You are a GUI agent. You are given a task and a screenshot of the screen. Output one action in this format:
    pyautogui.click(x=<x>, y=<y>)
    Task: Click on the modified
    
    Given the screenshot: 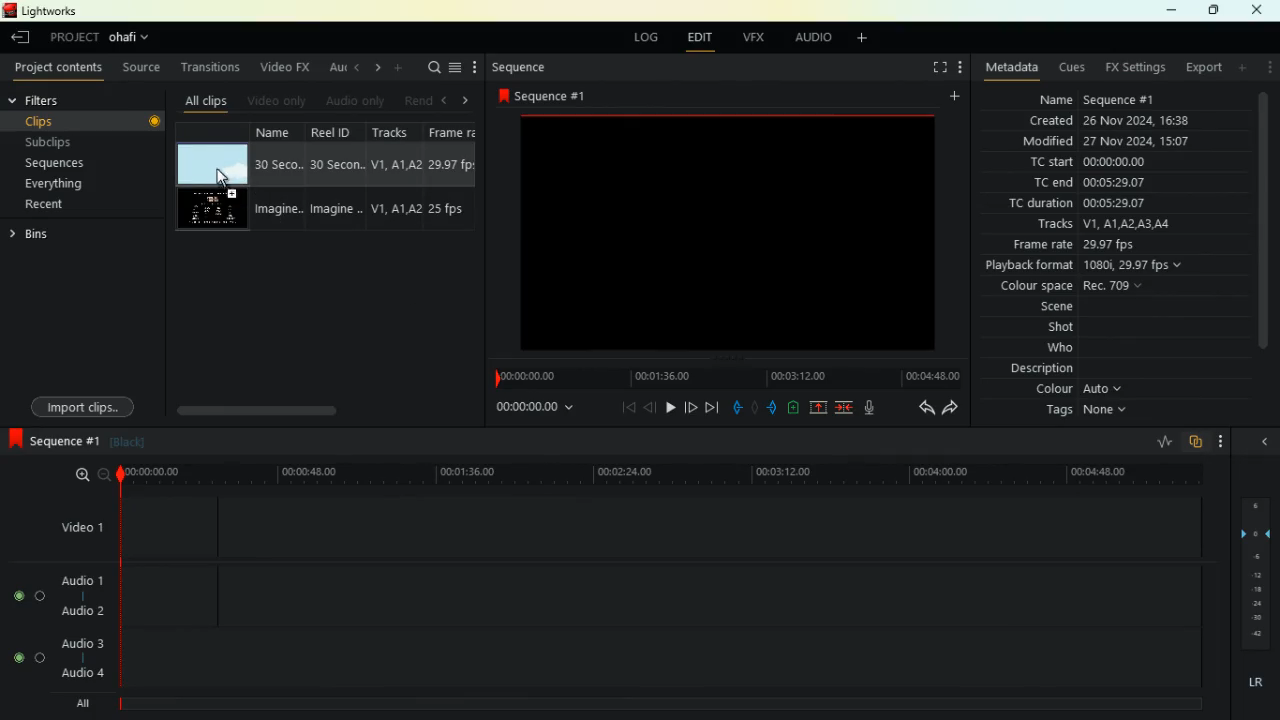 What is the action you would take?
    pyautogui.click(x=1051, y=140)
    